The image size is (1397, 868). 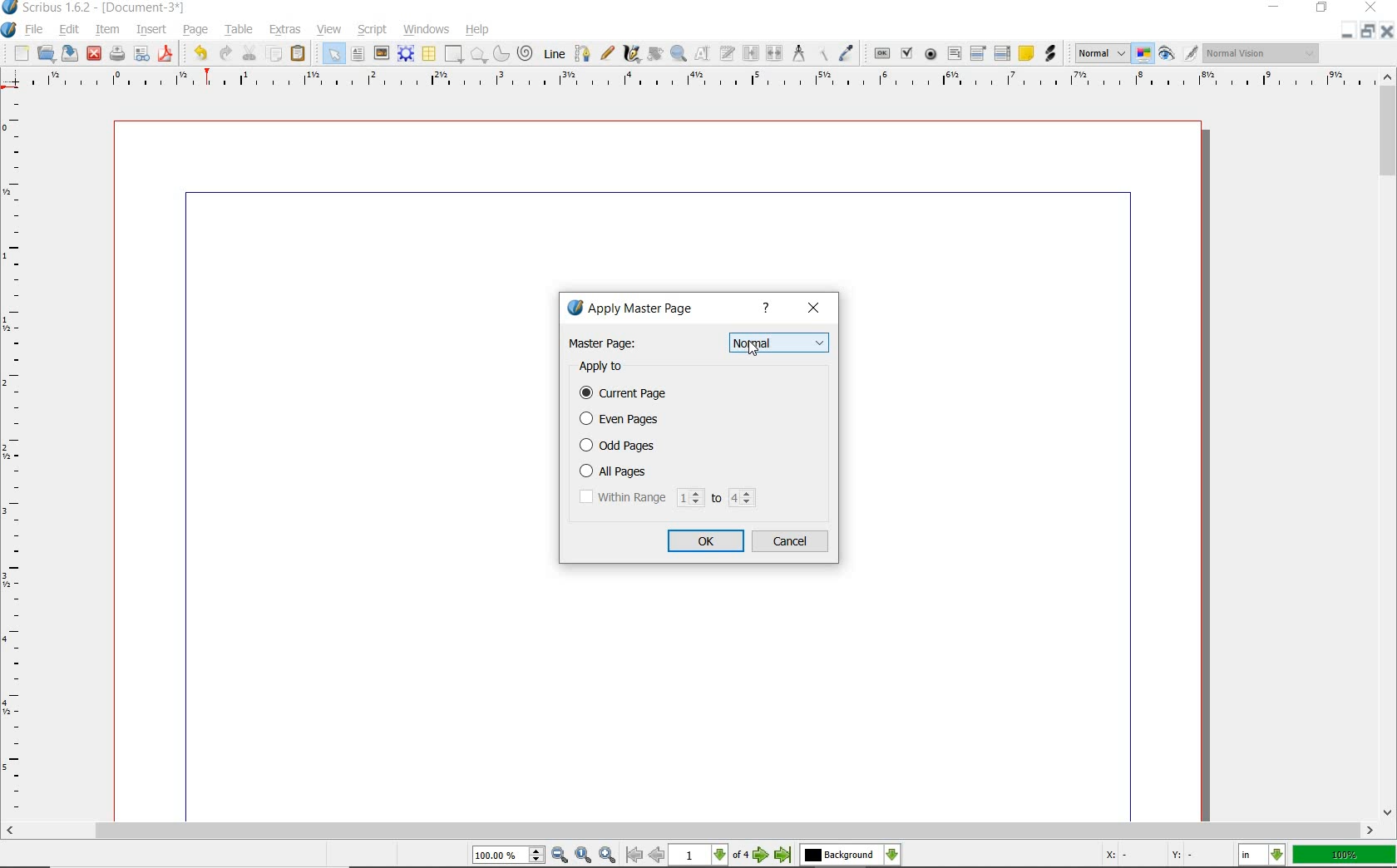 What do you see at coordinates (1261, 855) in the screenshot?
I see `select the current unit: in` at bounding box center [1261, 855].